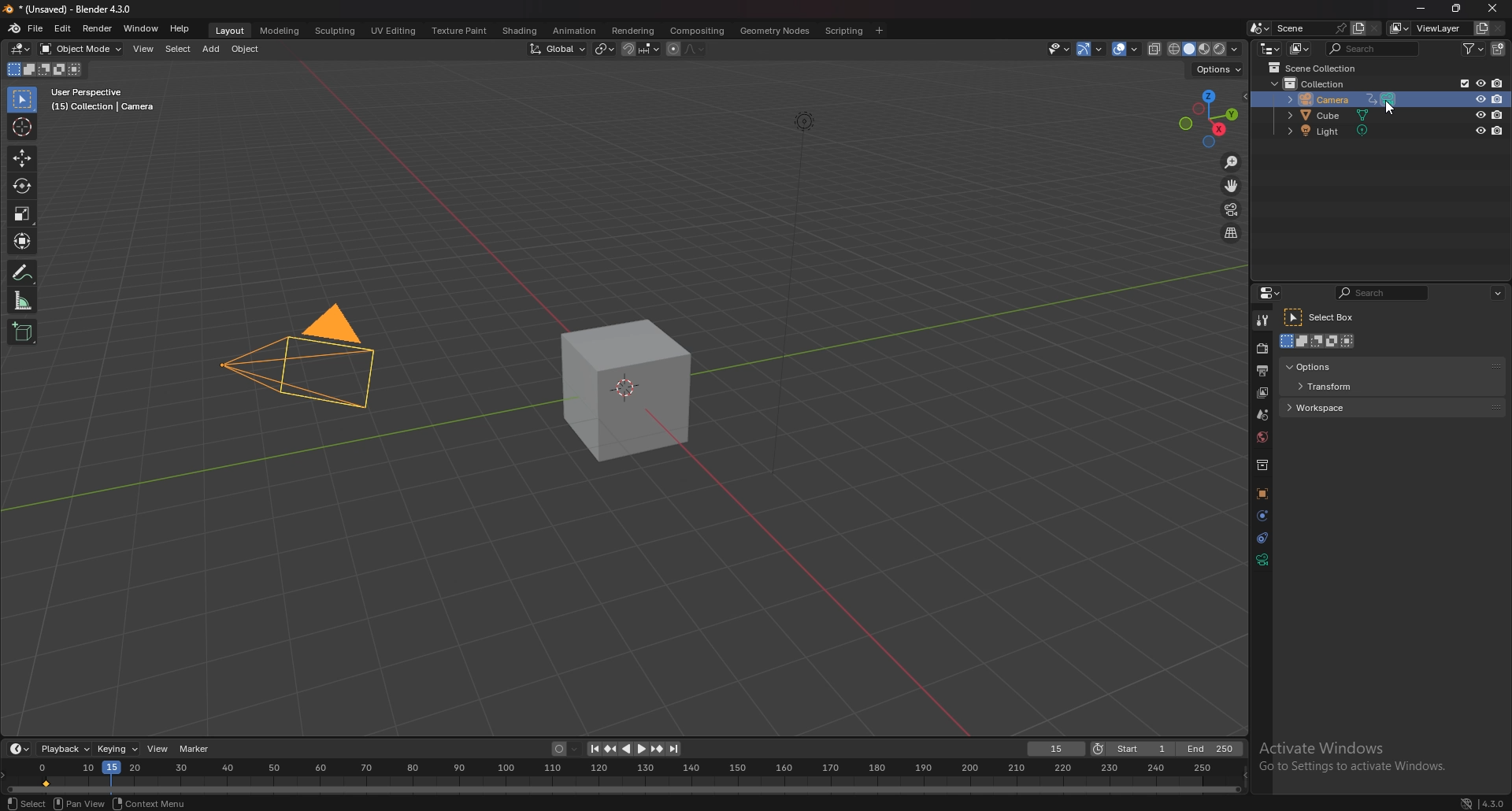  What do you see at coordinates (1262, 537) in the screenshot?
I see `constraints` at bounding box center [1262, 537].